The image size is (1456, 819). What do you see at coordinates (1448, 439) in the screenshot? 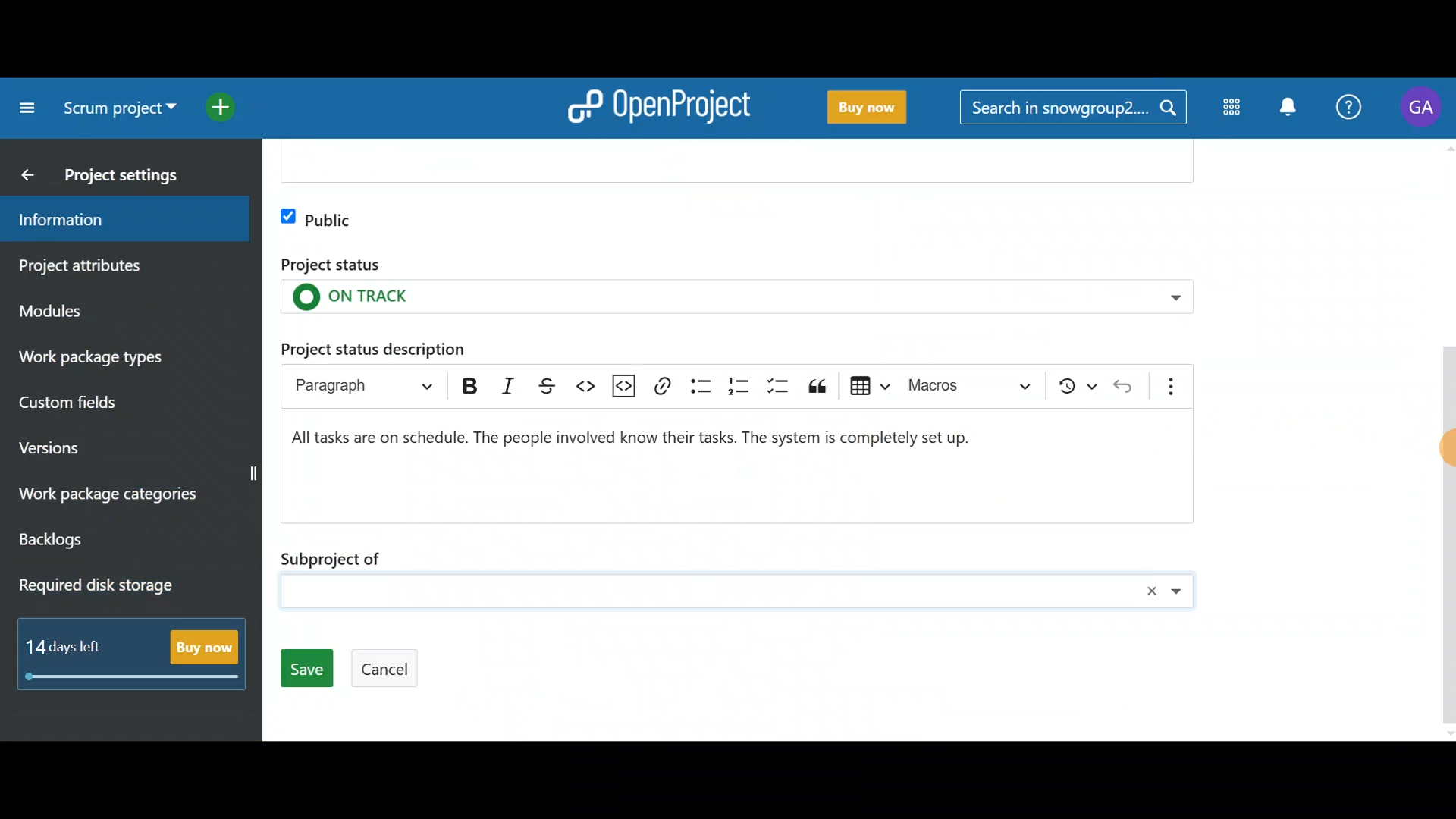
I see `scroll bar` at bounding box center [1448, 439].